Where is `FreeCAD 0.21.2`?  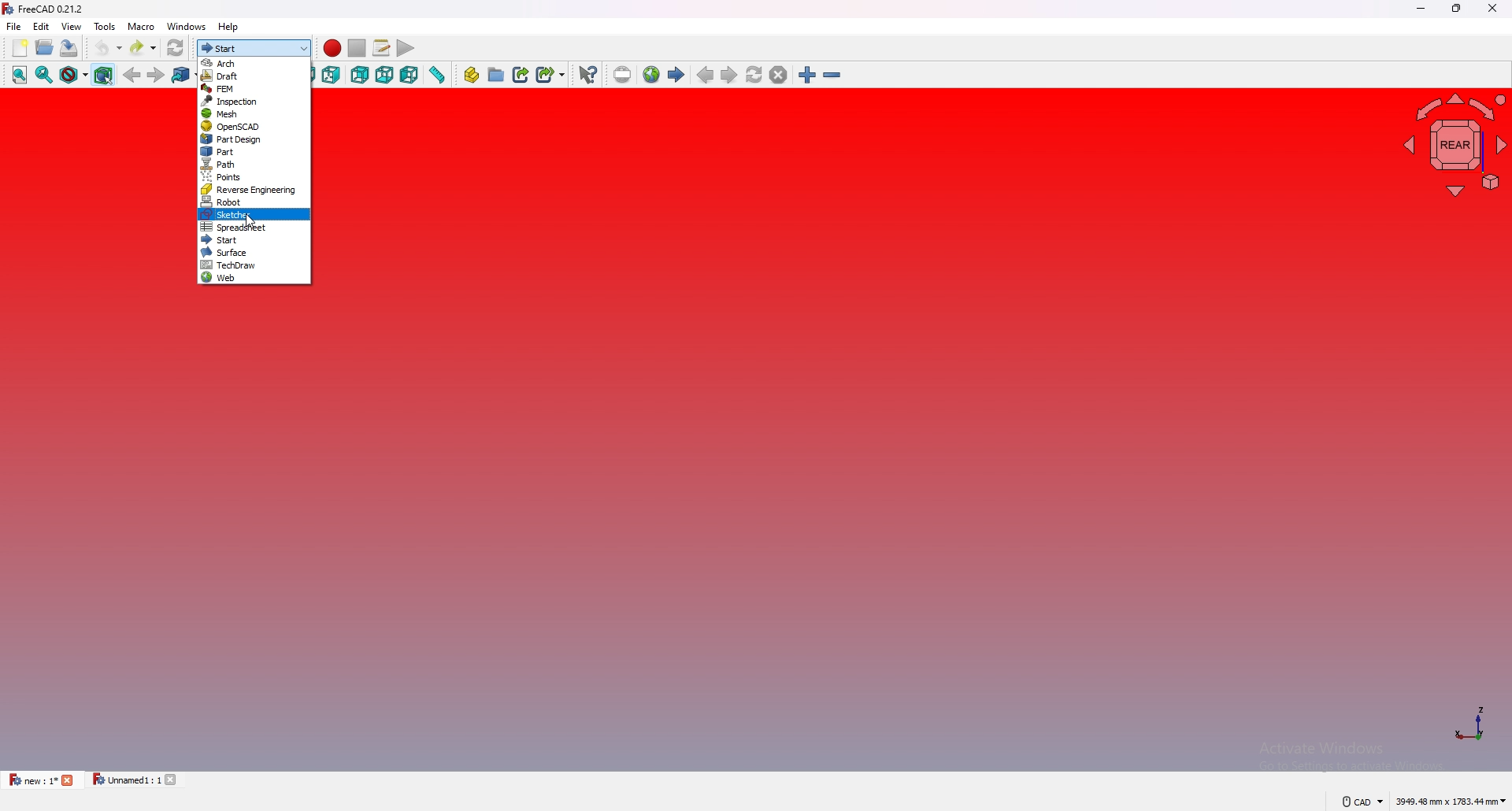
FreeCAD 0.21.2 is located at coordinates (45, 9).